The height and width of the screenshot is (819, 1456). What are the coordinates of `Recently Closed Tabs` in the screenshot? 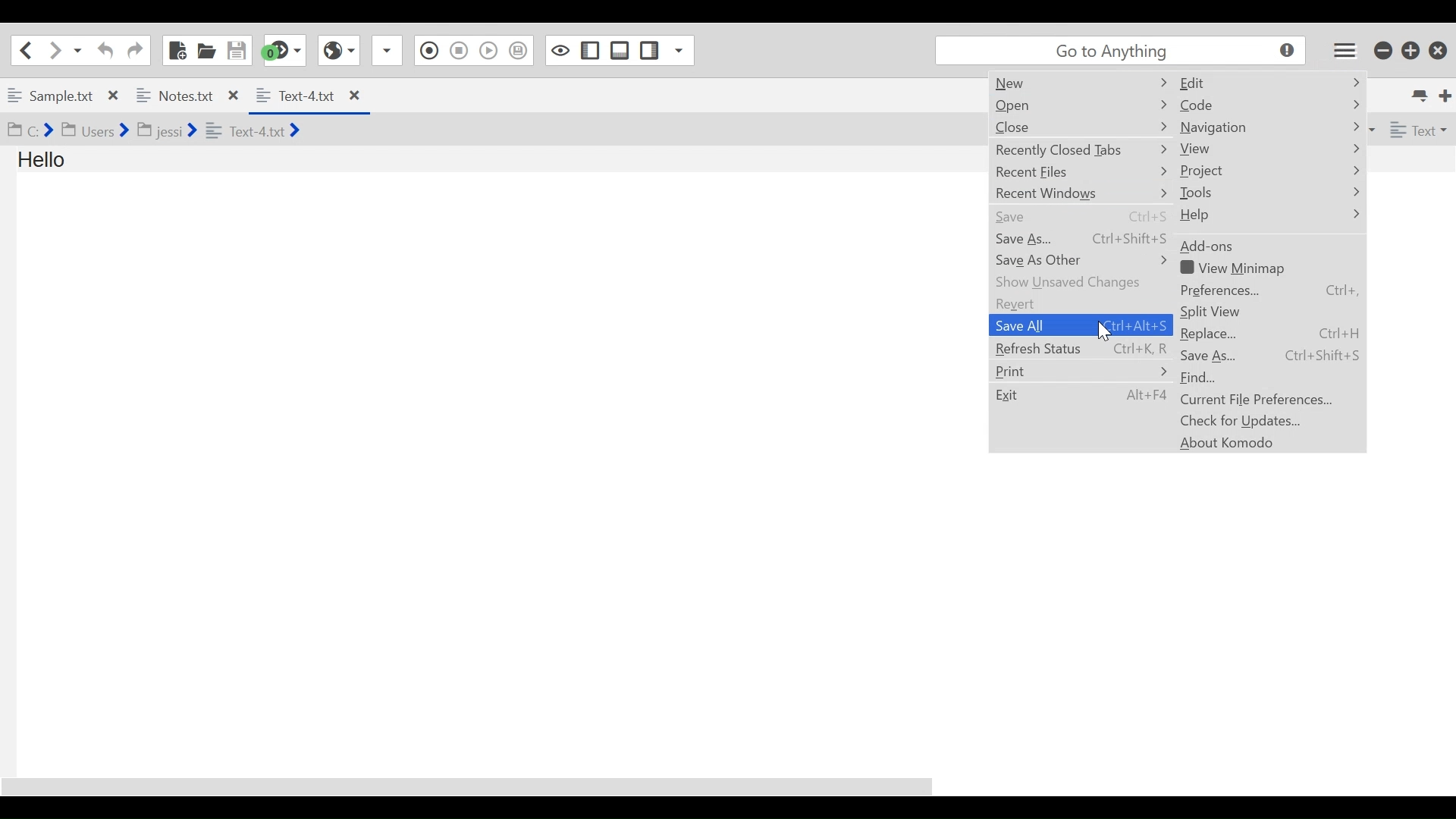 It's located at (1081, 149).